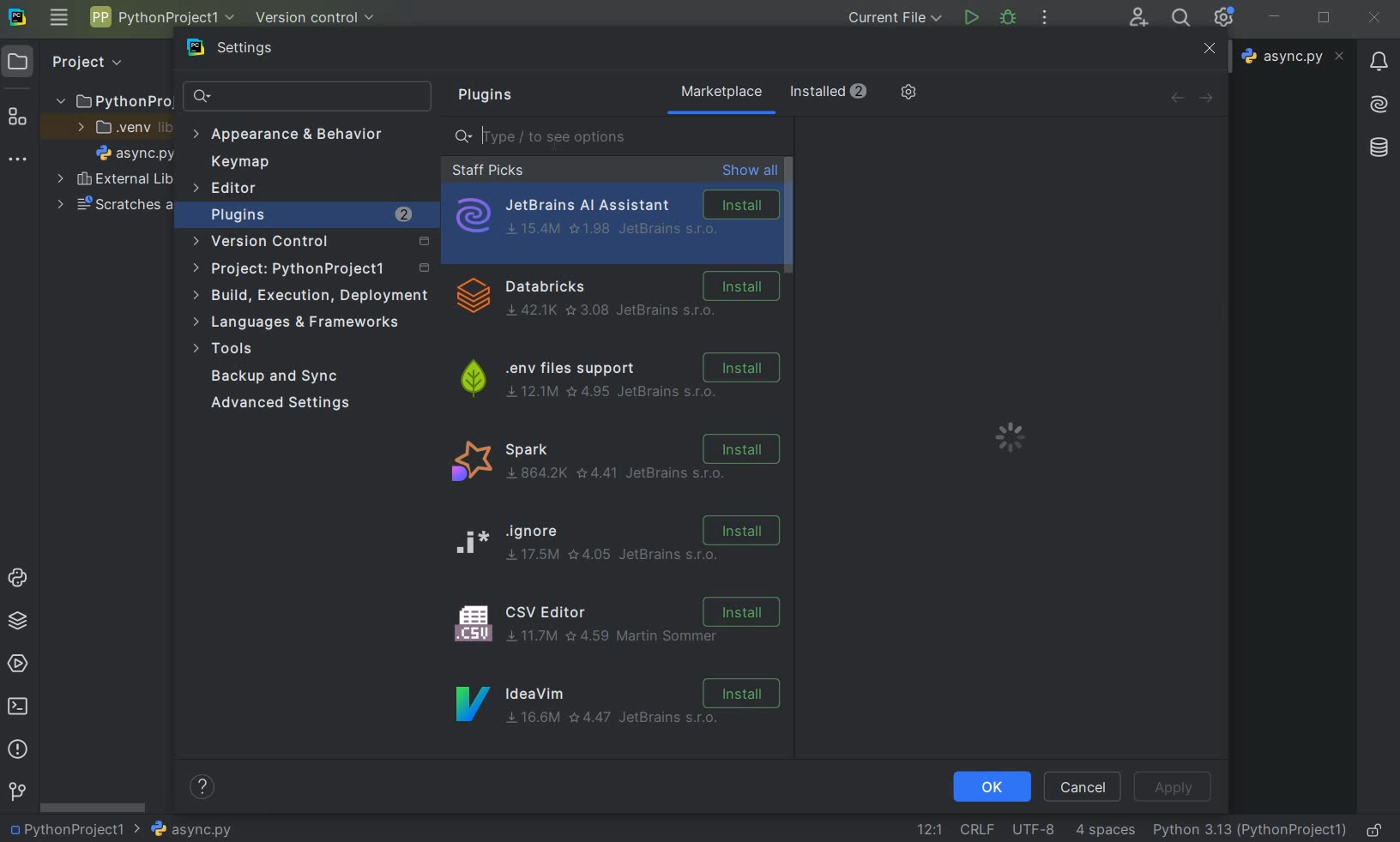 The height and width of the screenshot is (842, 1400). What do you see at coordinates (1033, 827) in the screenshot?
I see `fine encoding` at bounding box center [1033, 827].